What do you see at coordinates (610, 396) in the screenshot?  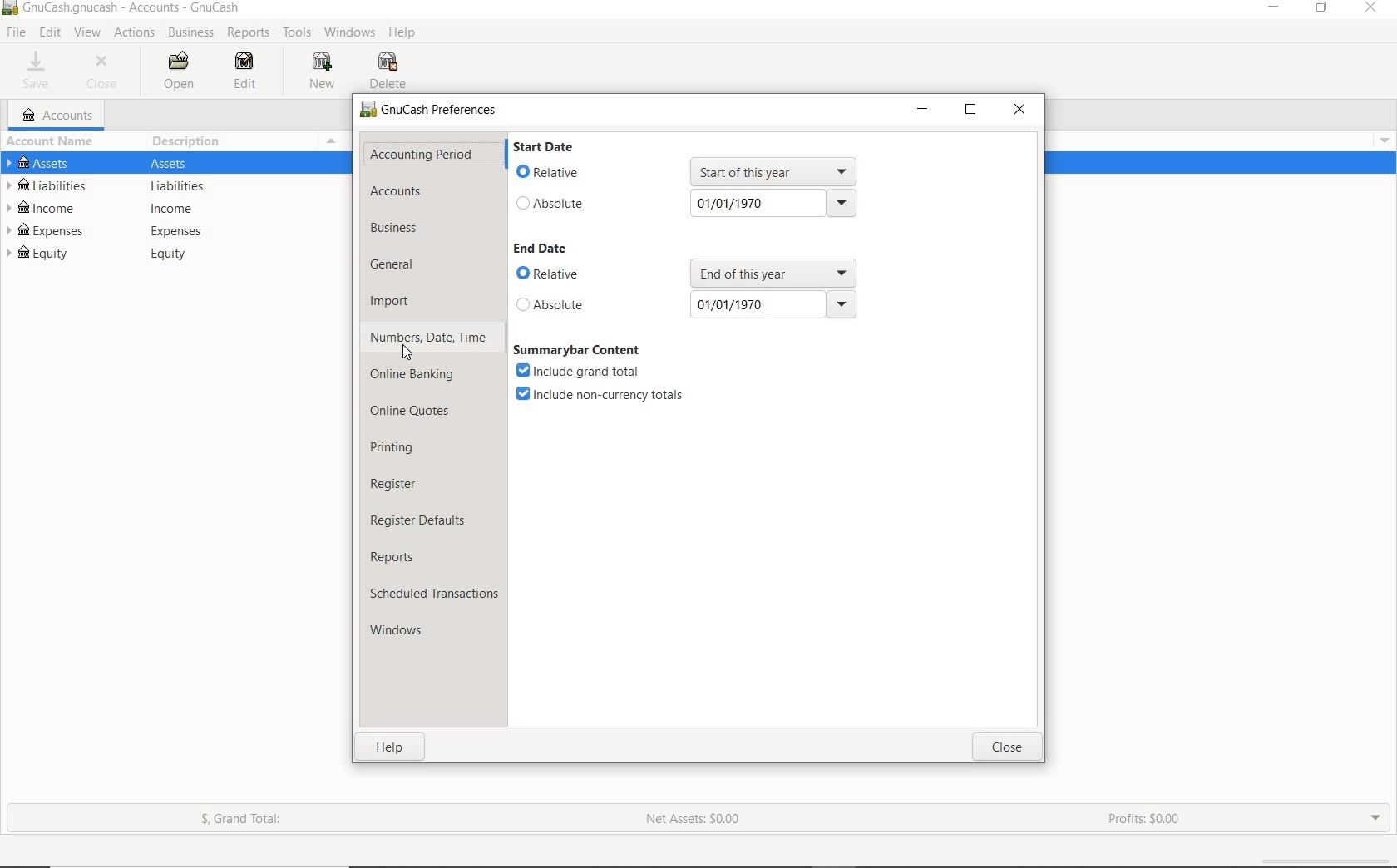 I see `include non-currency totals` at bounding box center [610, 396].